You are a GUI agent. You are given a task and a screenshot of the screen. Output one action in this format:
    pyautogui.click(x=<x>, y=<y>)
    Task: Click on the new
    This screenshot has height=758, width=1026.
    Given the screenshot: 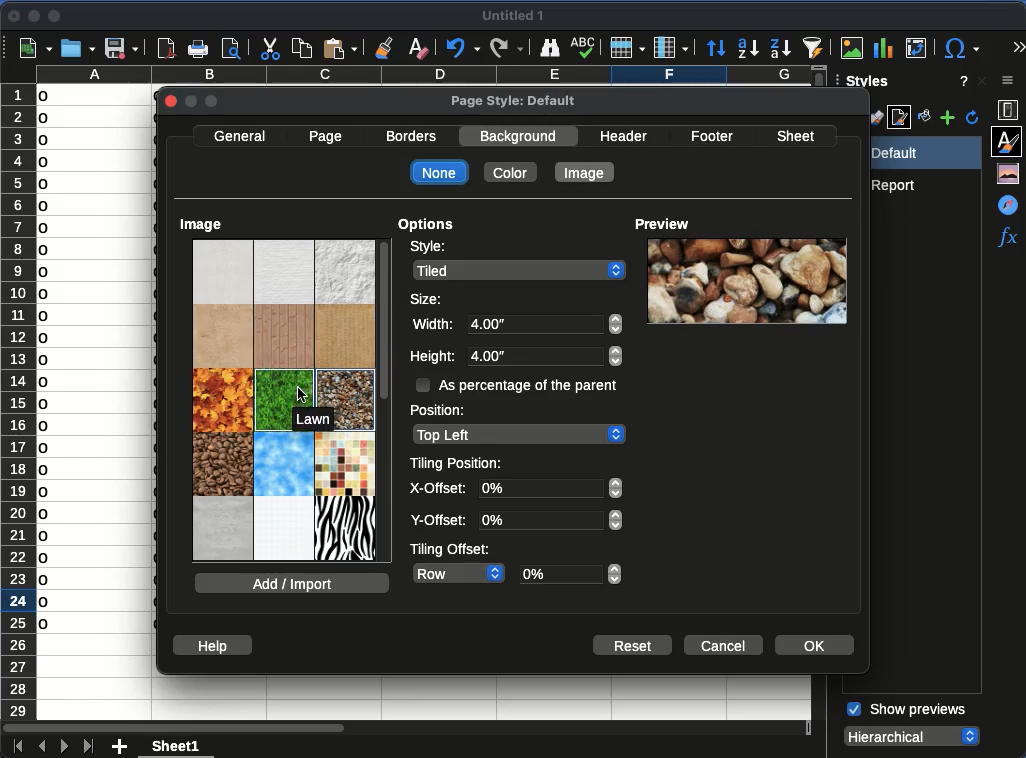 What is the action you would take?
    pyautogui.click(x=34, y=49)
    